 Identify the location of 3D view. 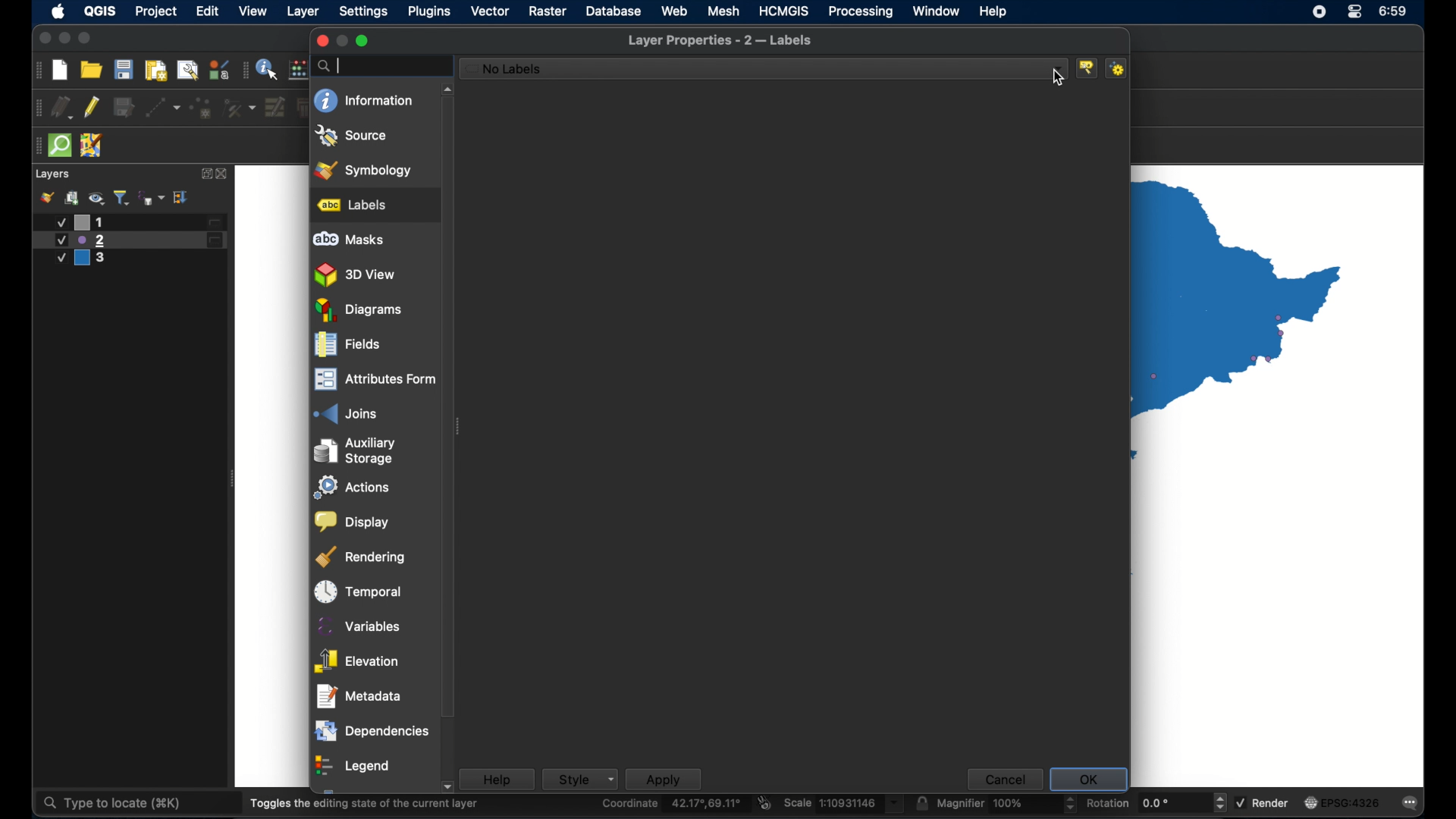
(357, 275).